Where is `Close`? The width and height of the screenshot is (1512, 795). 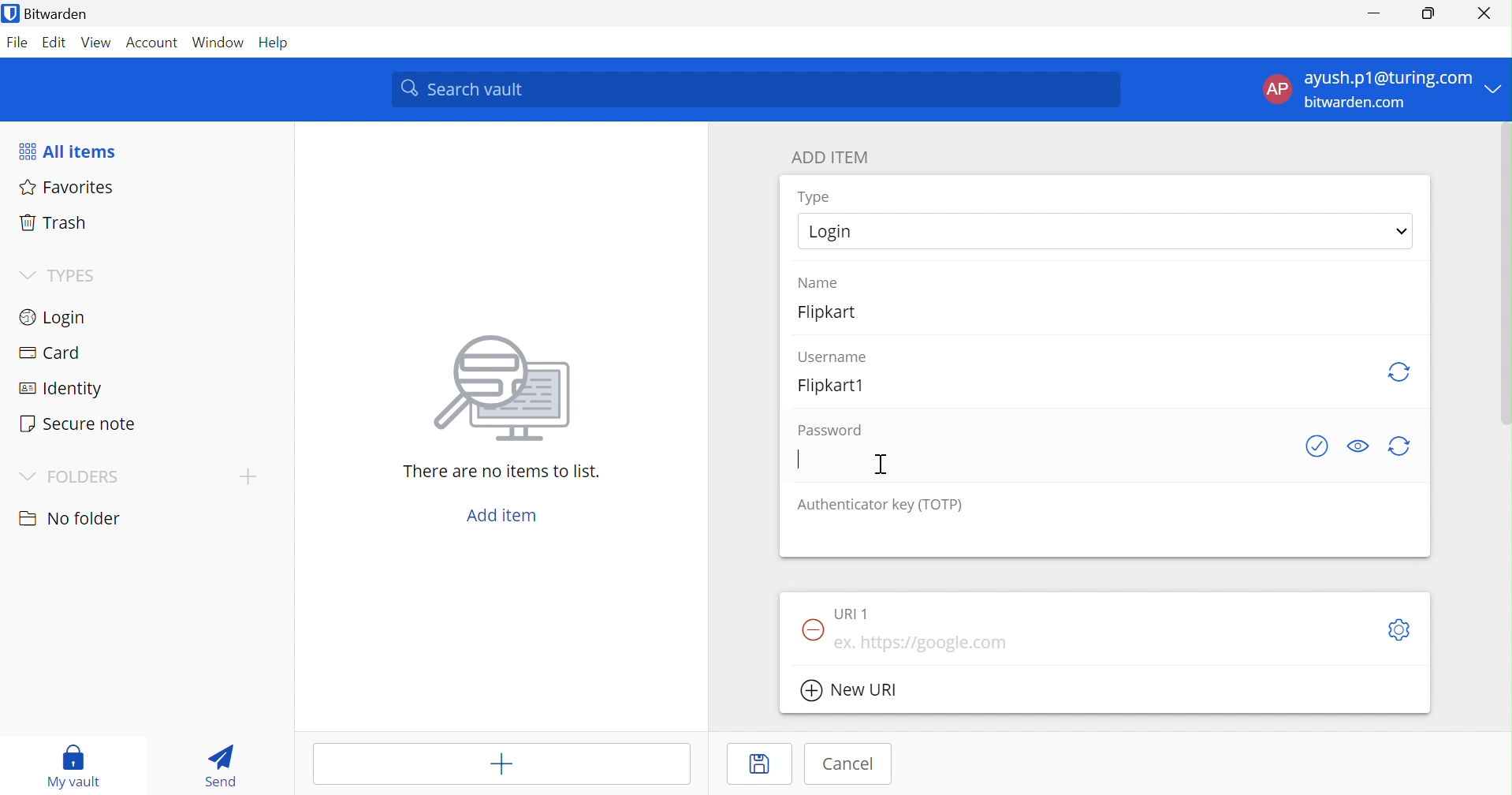 Close is located at coordinates (1485, 13).